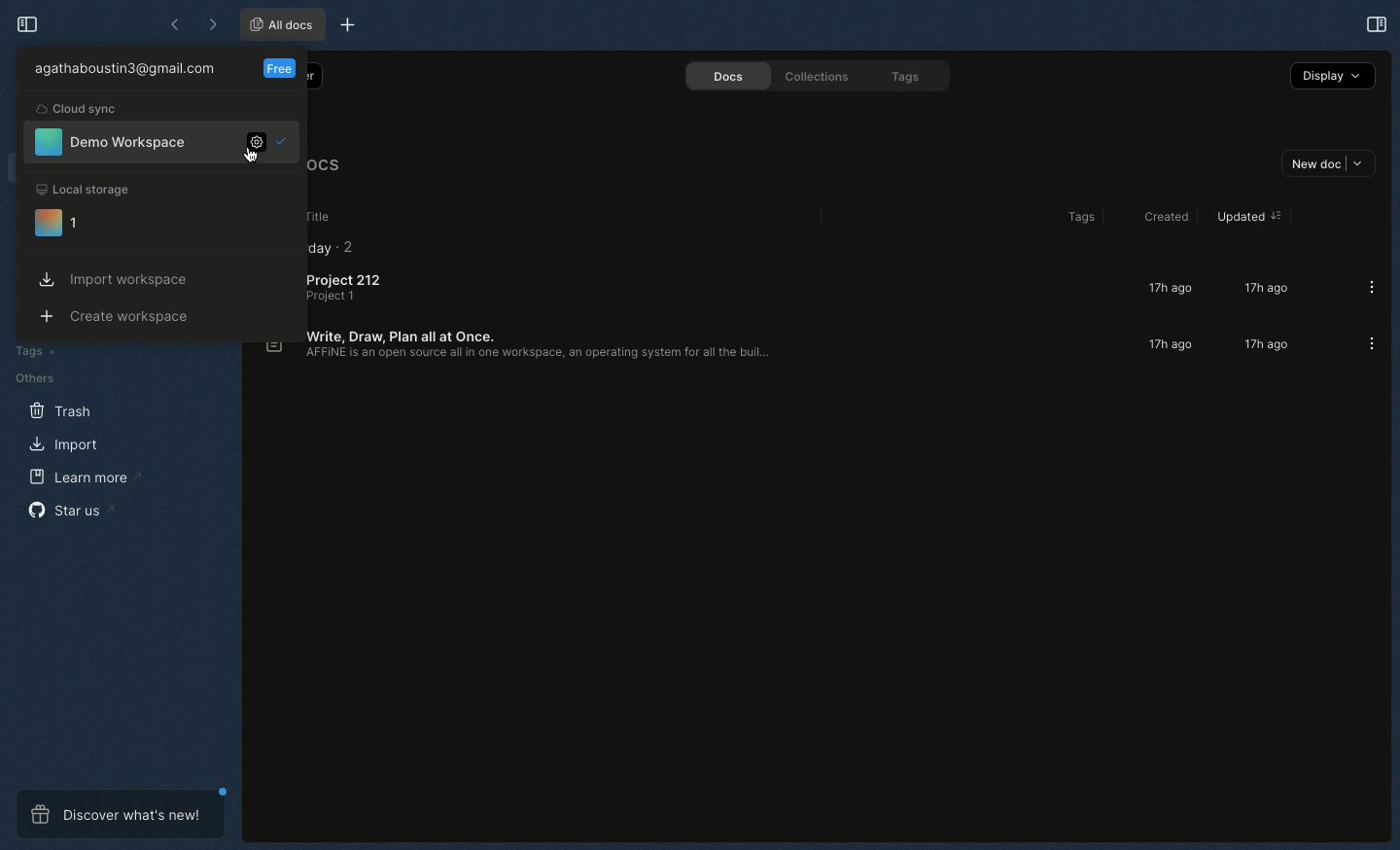  What do you see at coordinates (1168, 289) in the screenshot?
I see `17h ago` at bounding box center [1168, 289].